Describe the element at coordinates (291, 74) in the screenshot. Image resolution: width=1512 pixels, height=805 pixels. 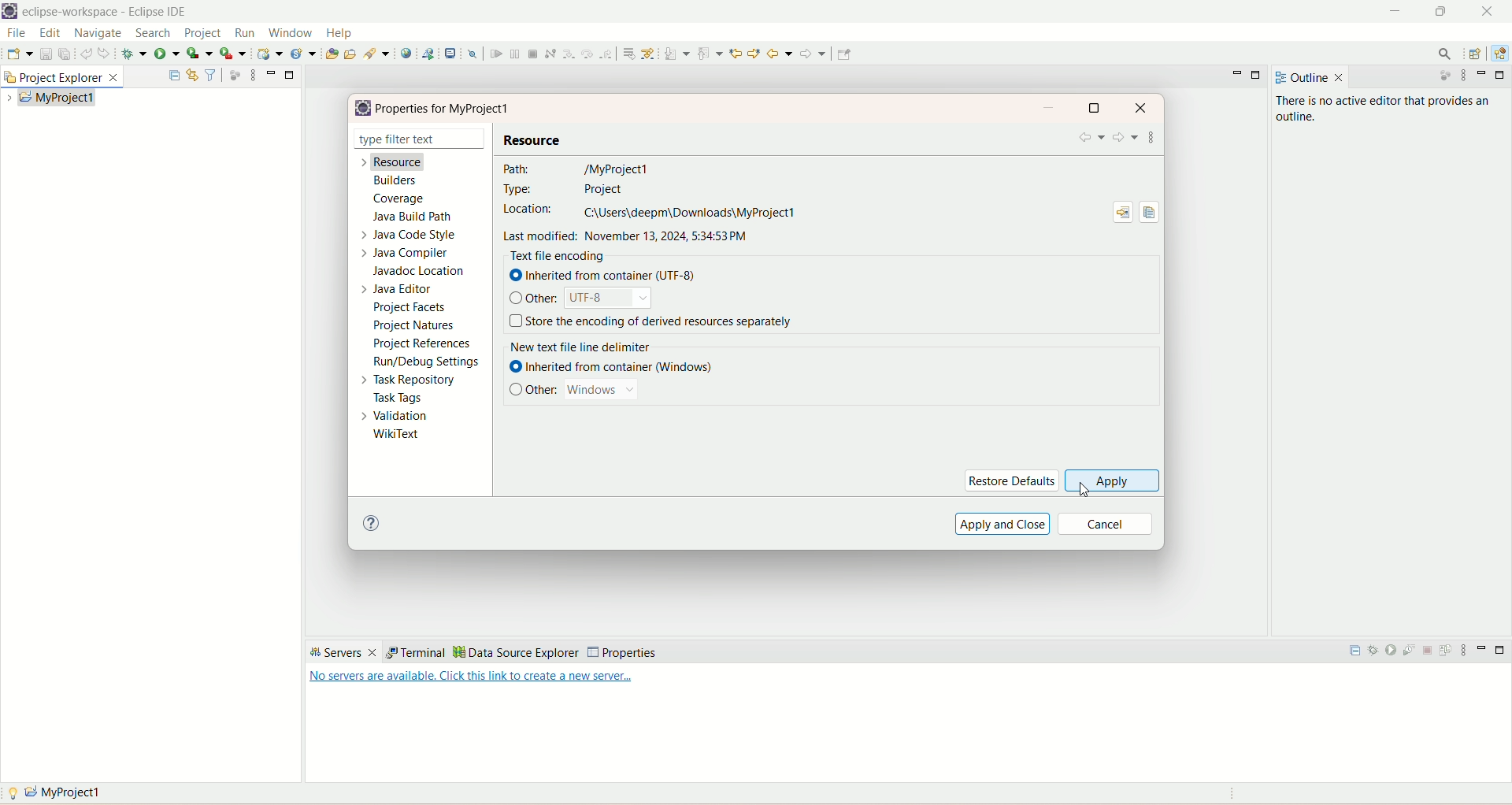
I see `minimize` at that location.